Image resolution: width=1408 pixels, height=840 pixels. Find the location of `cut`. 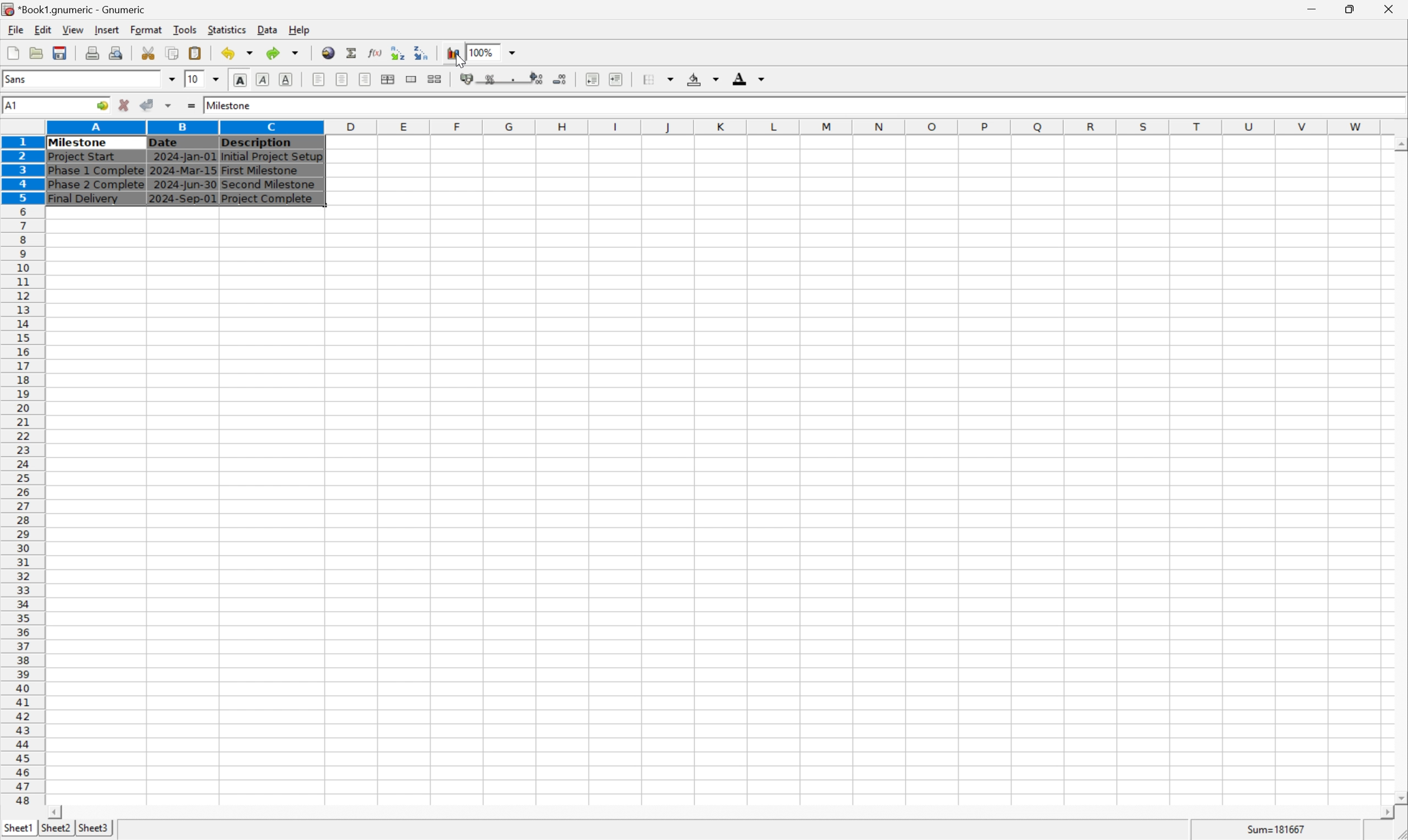

cut is located at coordinates (149, 53).